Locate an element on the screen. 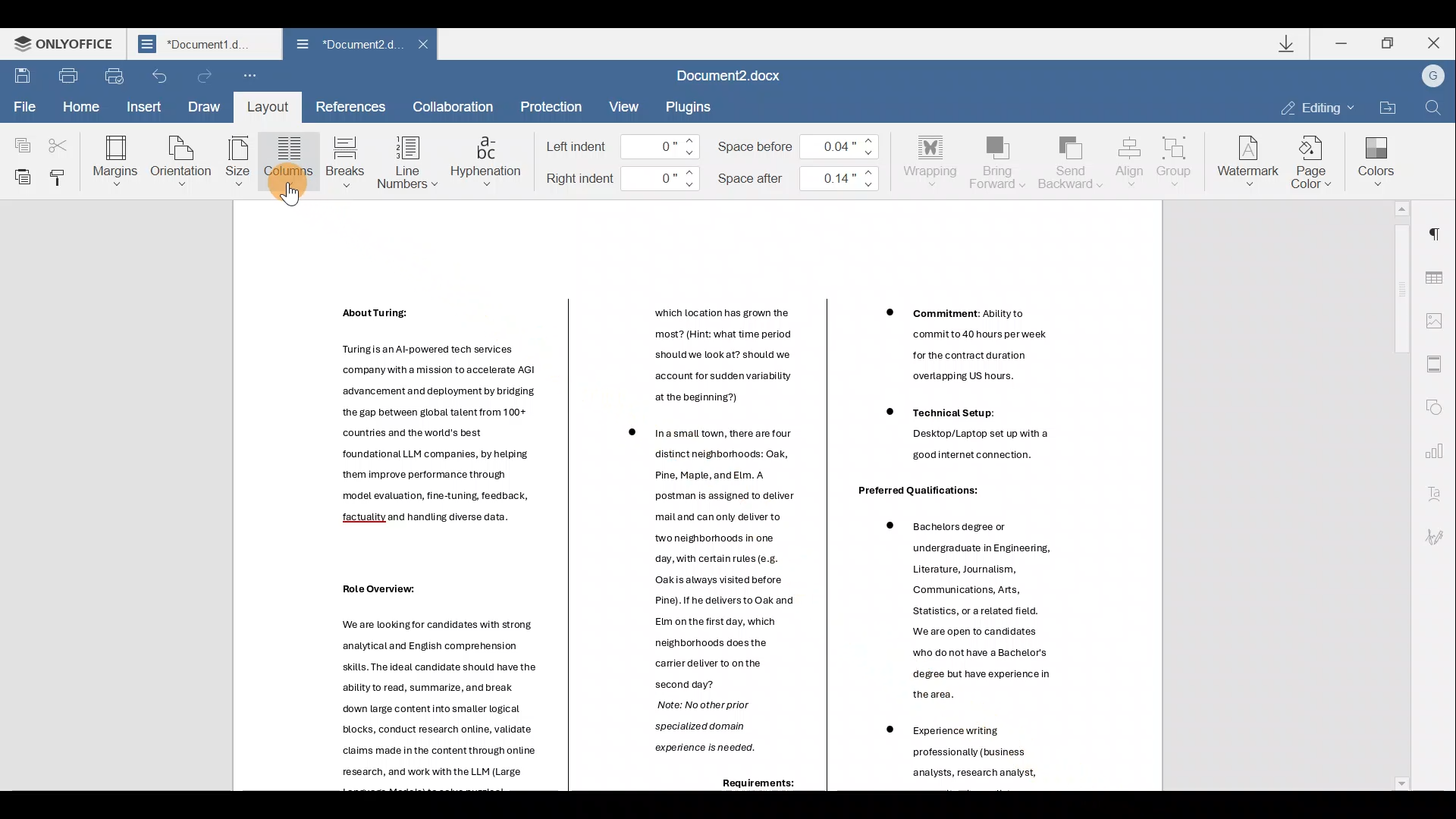  File is located at coordinates (22, 105).